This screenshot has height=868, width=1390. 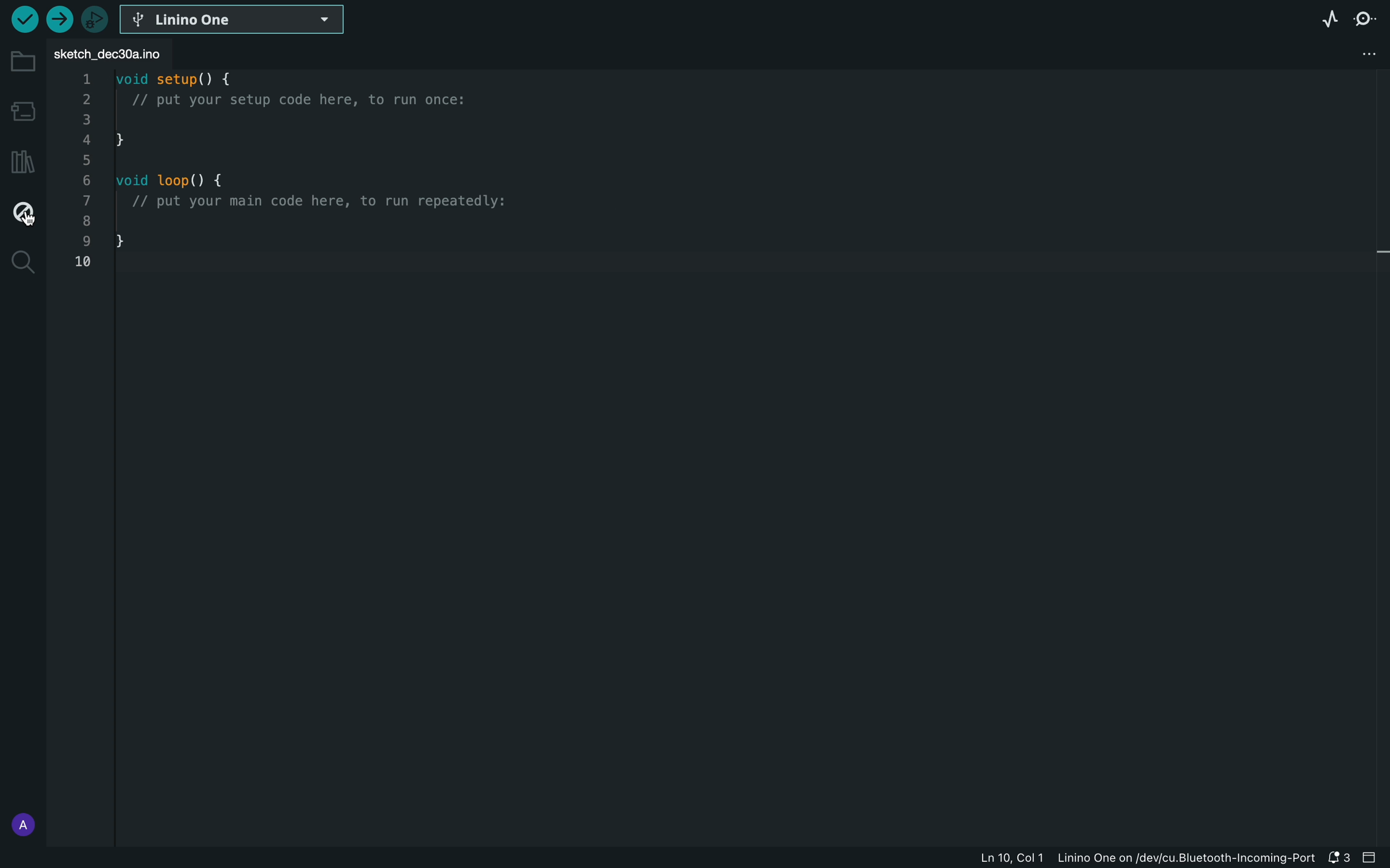 What do you see at coordinates (1339, 858) in the screenshot?
I see `notification` at bounding box center [1339, 858].